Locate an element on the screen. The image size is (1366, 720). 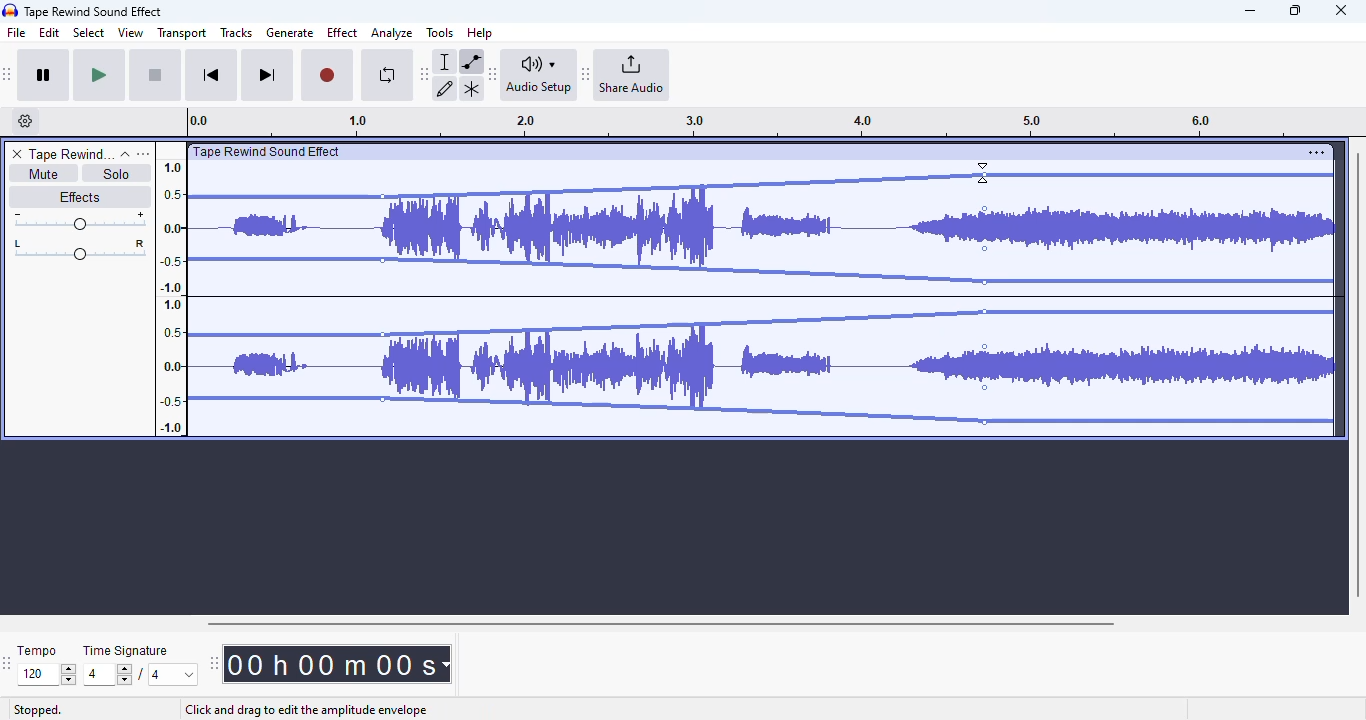
track name is located at coordinates (71, 155).